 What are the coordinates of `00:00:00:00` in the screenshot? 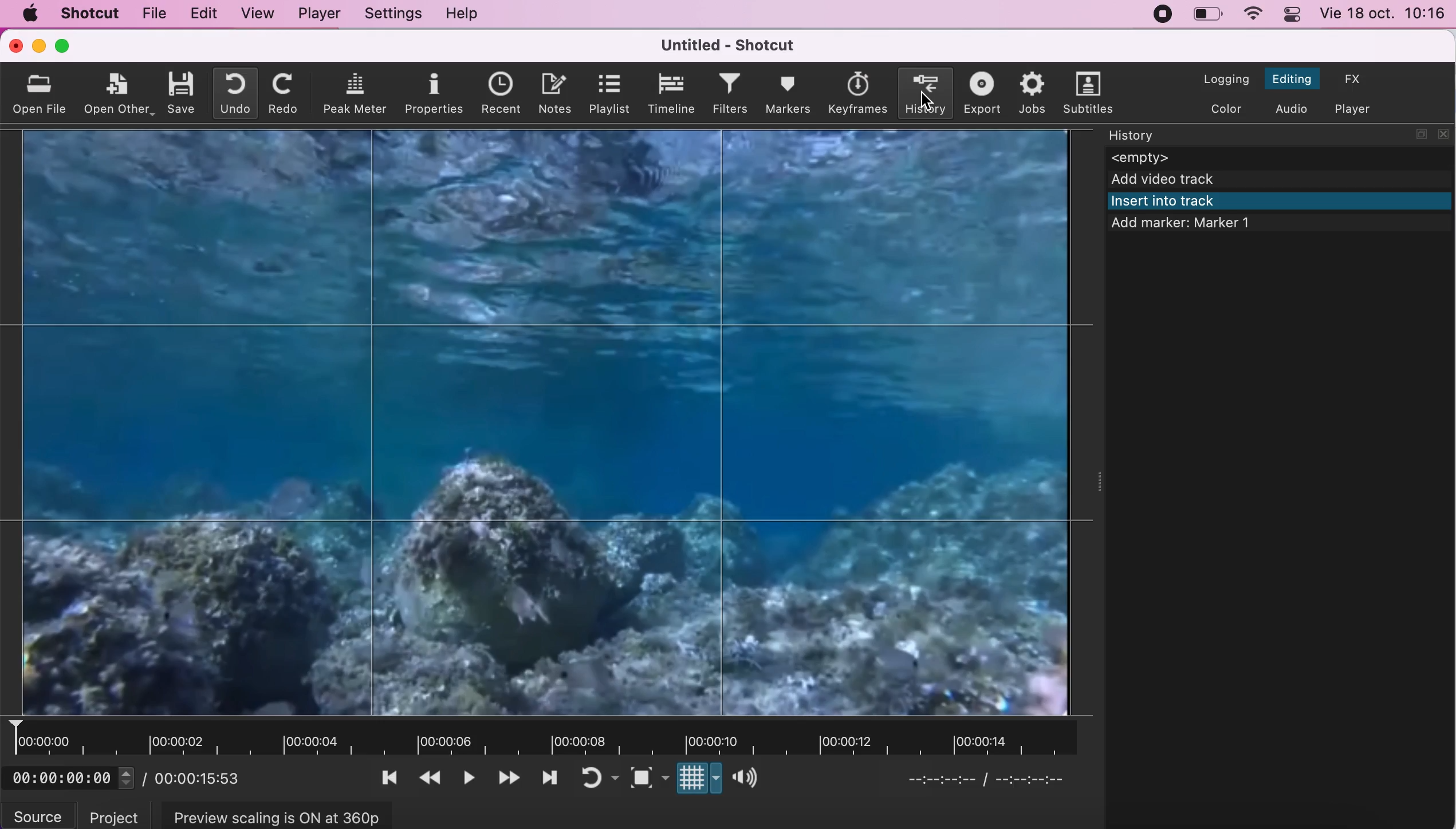 It's located at (74, 779).